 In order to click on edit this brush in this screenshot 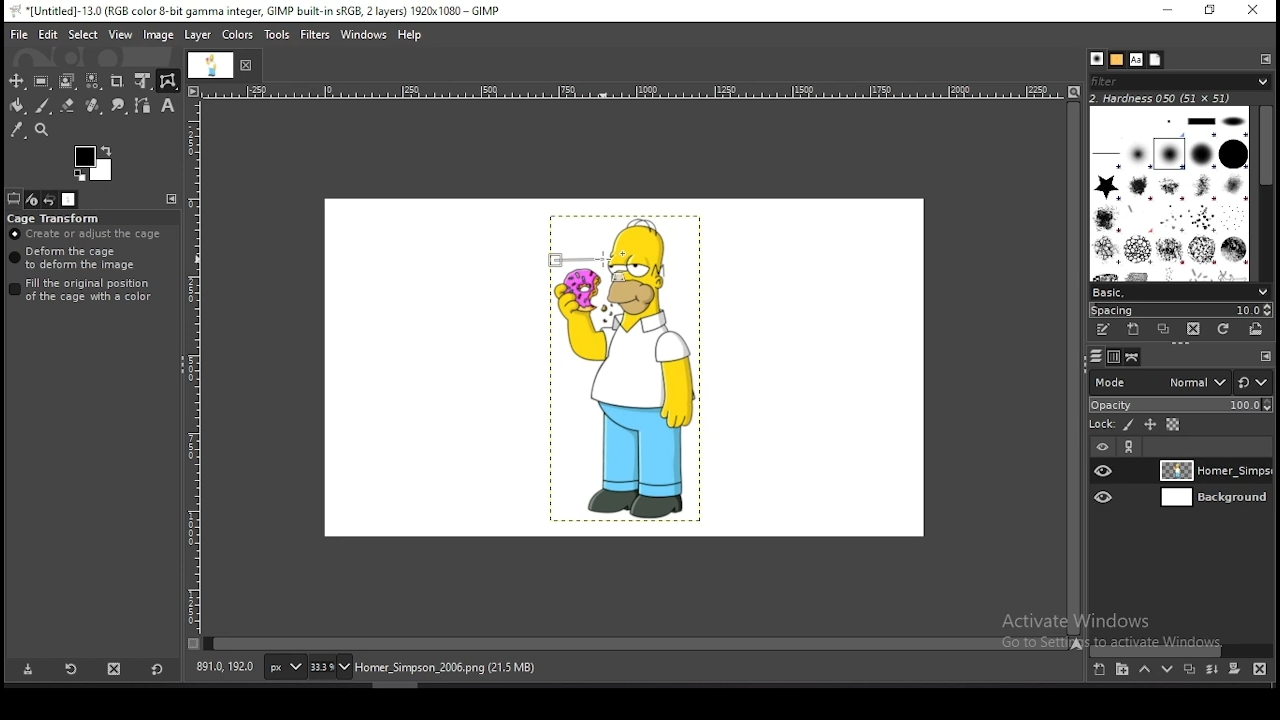, I will do `click(1106, 330)`.